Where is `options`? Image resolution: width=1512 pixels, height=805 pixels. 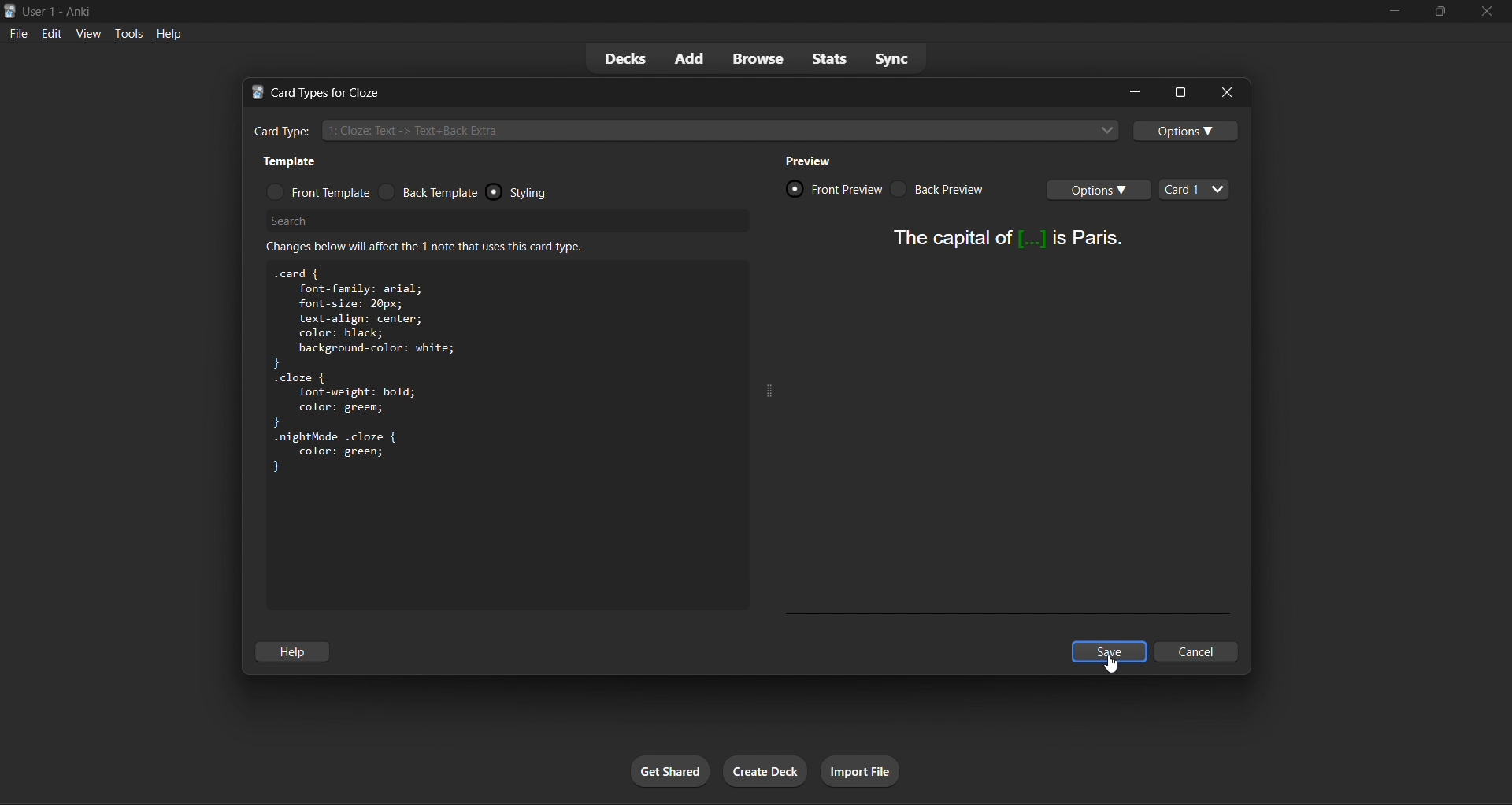 options is located at coordinates (1178, 91).